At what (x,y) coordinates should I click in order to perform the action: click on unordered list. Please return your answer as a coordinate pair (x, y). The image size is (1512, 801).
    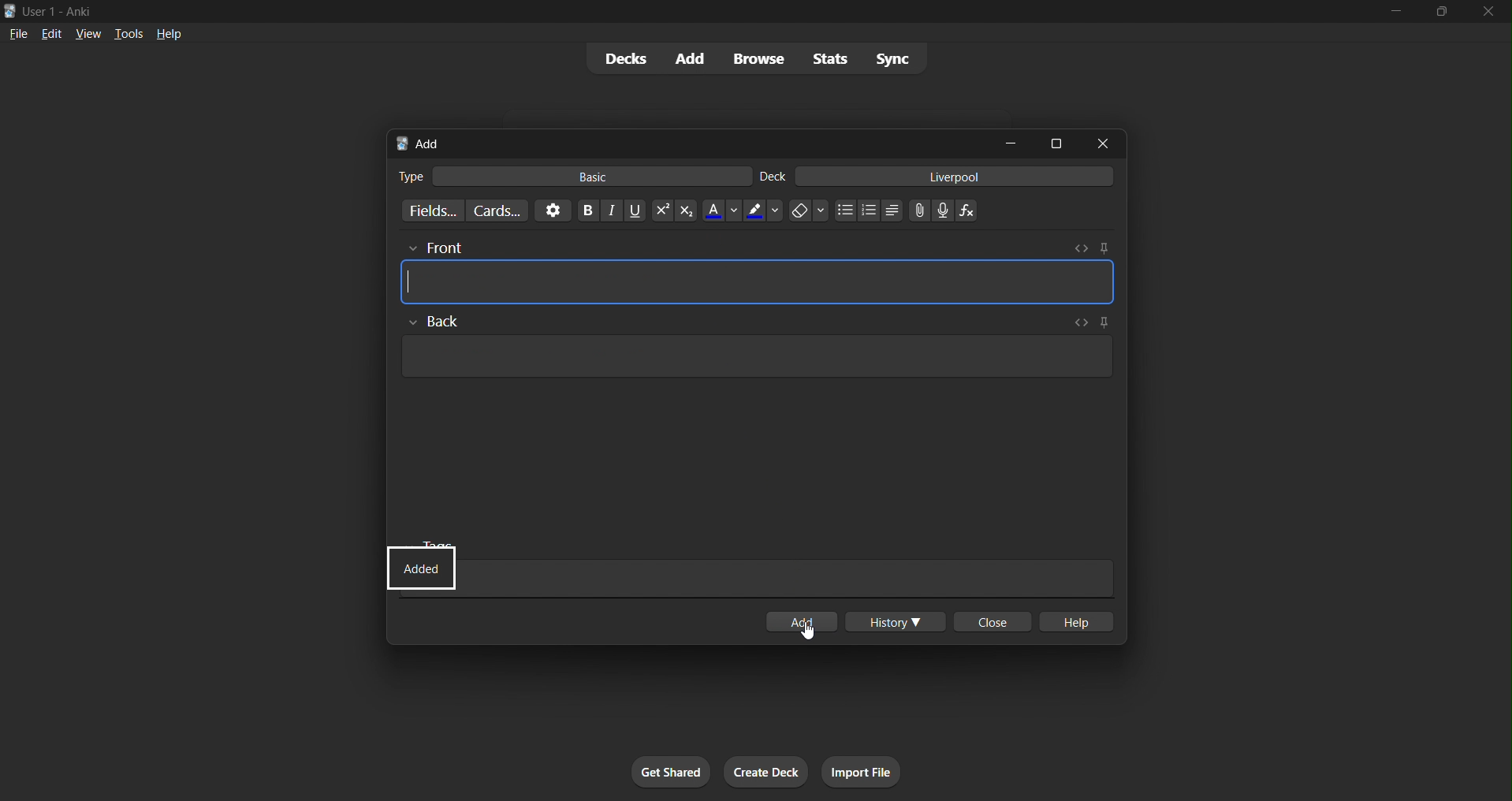
    Looking at the image, I should click on (888, 212).